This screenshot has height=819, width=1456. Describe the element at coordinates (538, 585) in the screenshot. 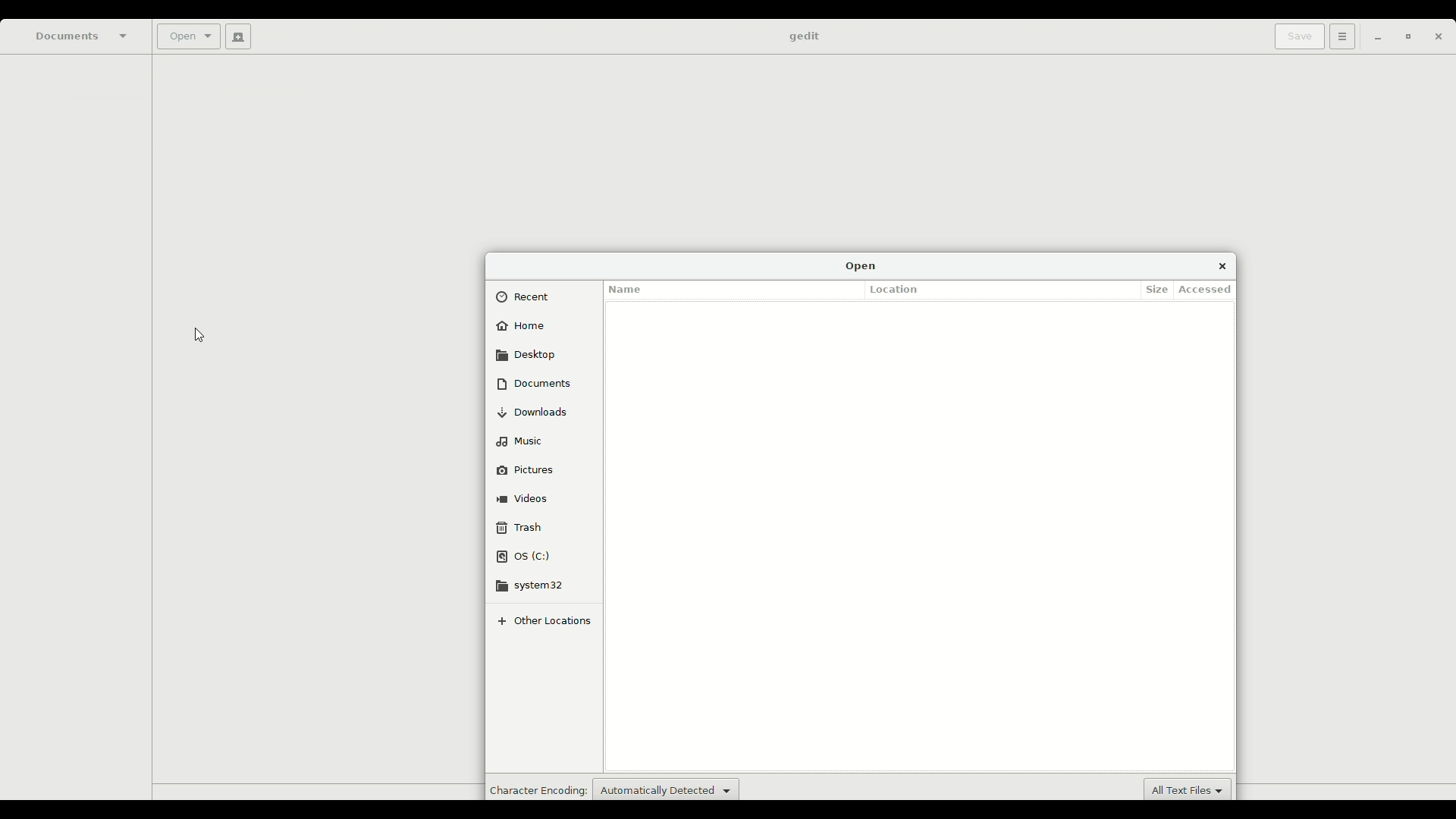

I see `system32` at that location.